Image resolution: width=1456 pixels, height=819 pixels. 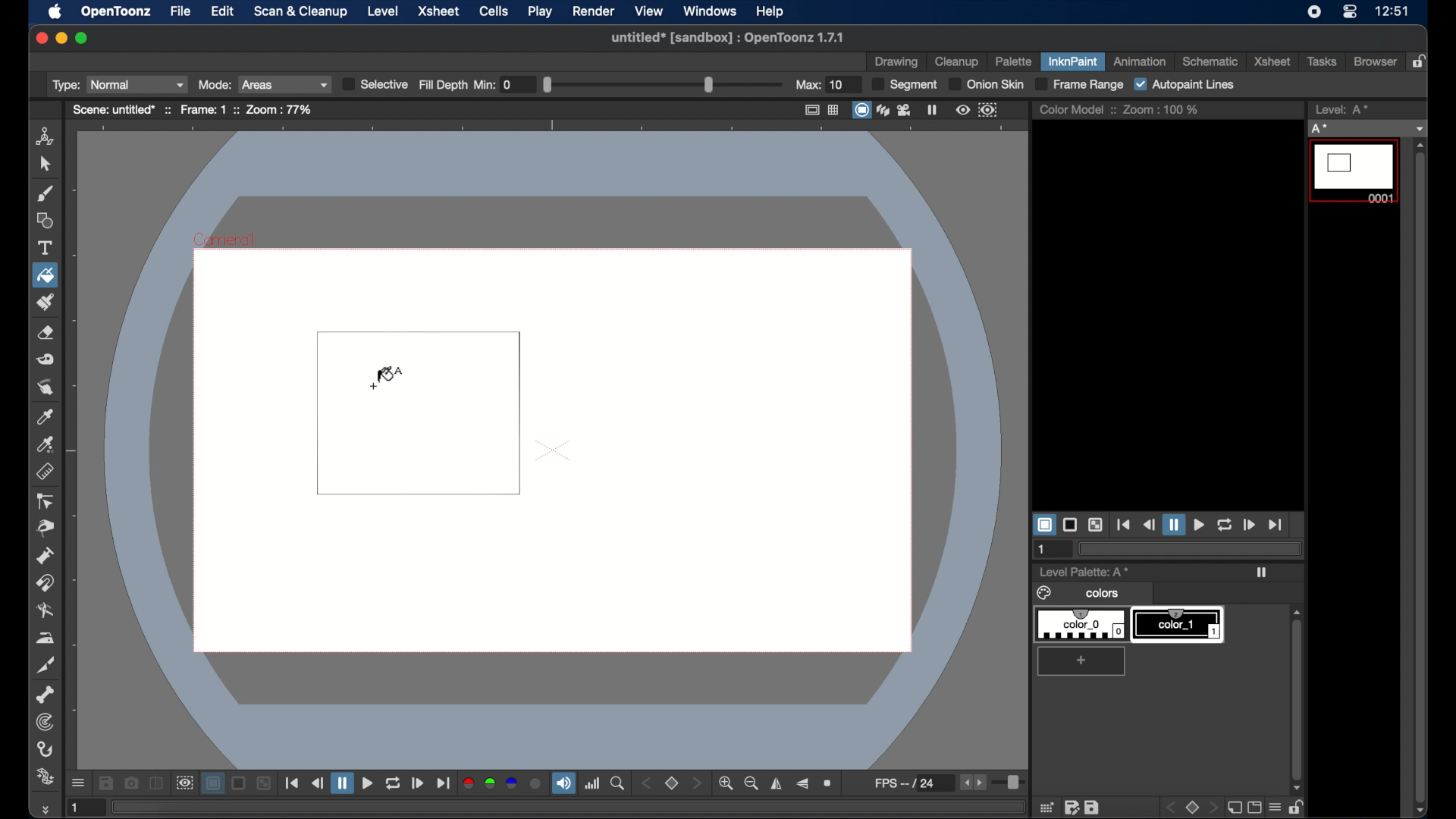 What do you see at coordinates (392, 784) in the screenshot?
I see `repeat` at bounding box center [392, 784].